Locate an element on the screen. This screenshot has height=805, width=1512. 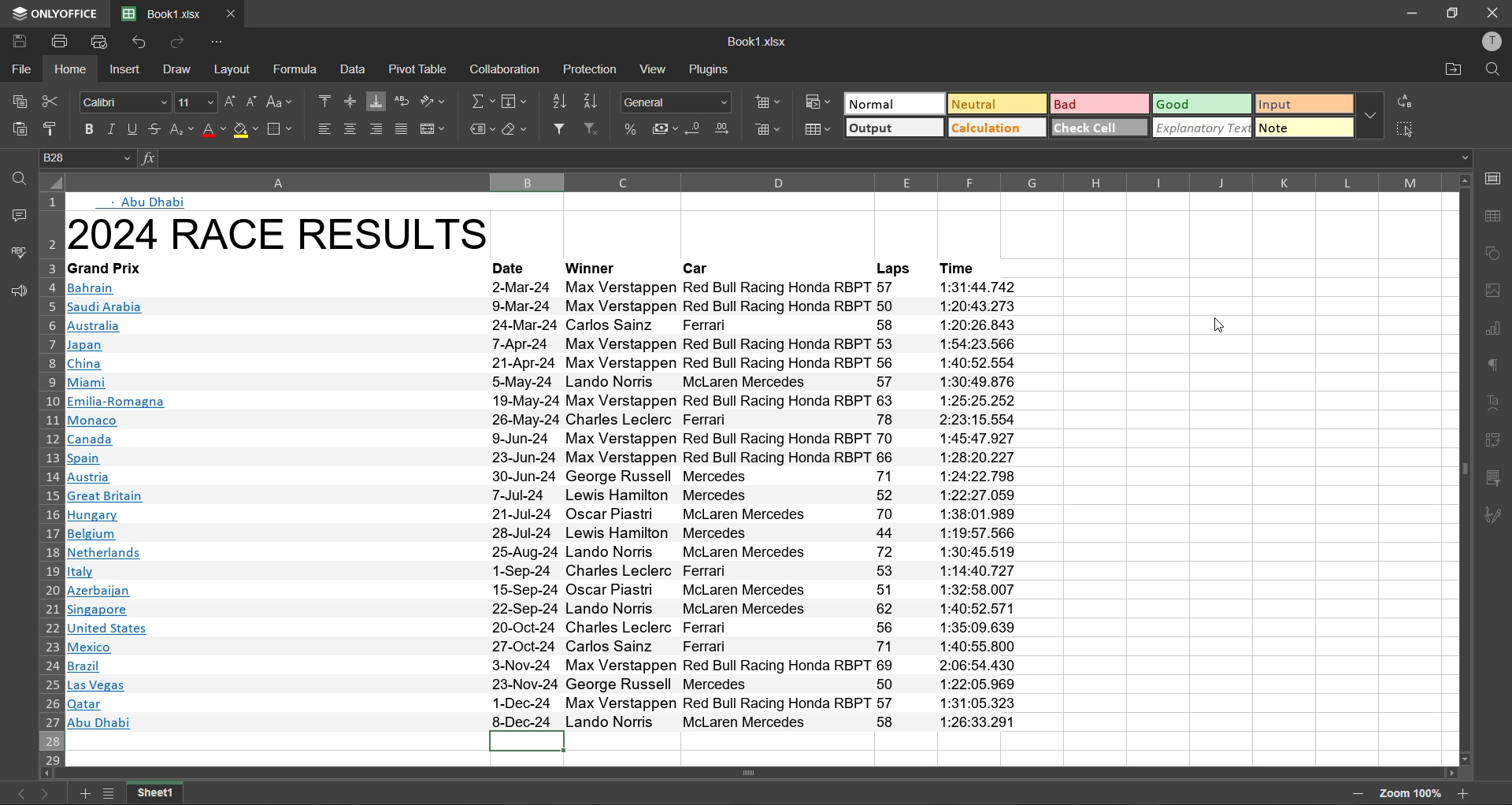
quick print is located at coordinates (104, 43).